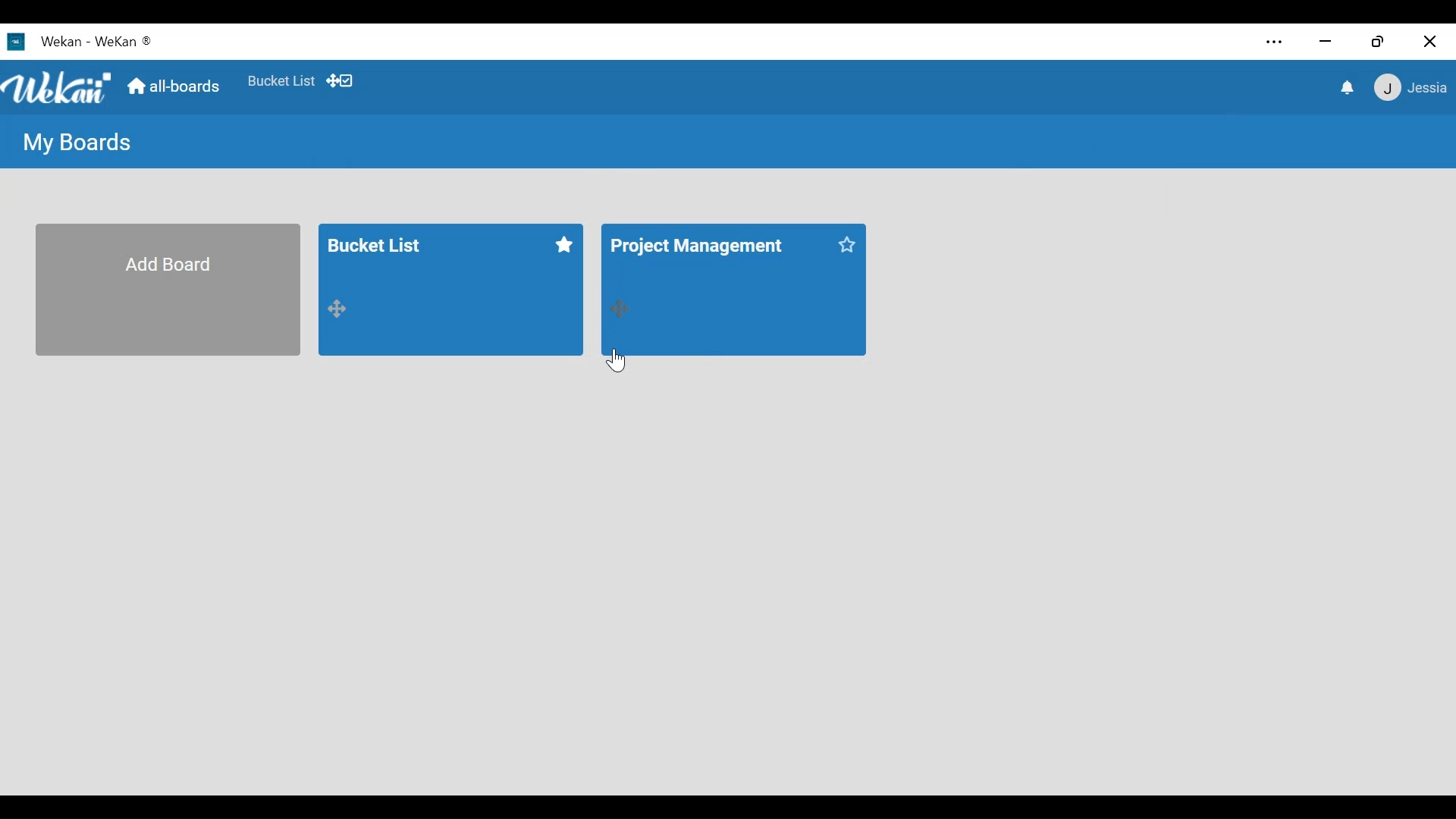  What do you see at coordinates (166, 289) in the screenshot?
I see `Add Board` at bounding box center [166, 289].